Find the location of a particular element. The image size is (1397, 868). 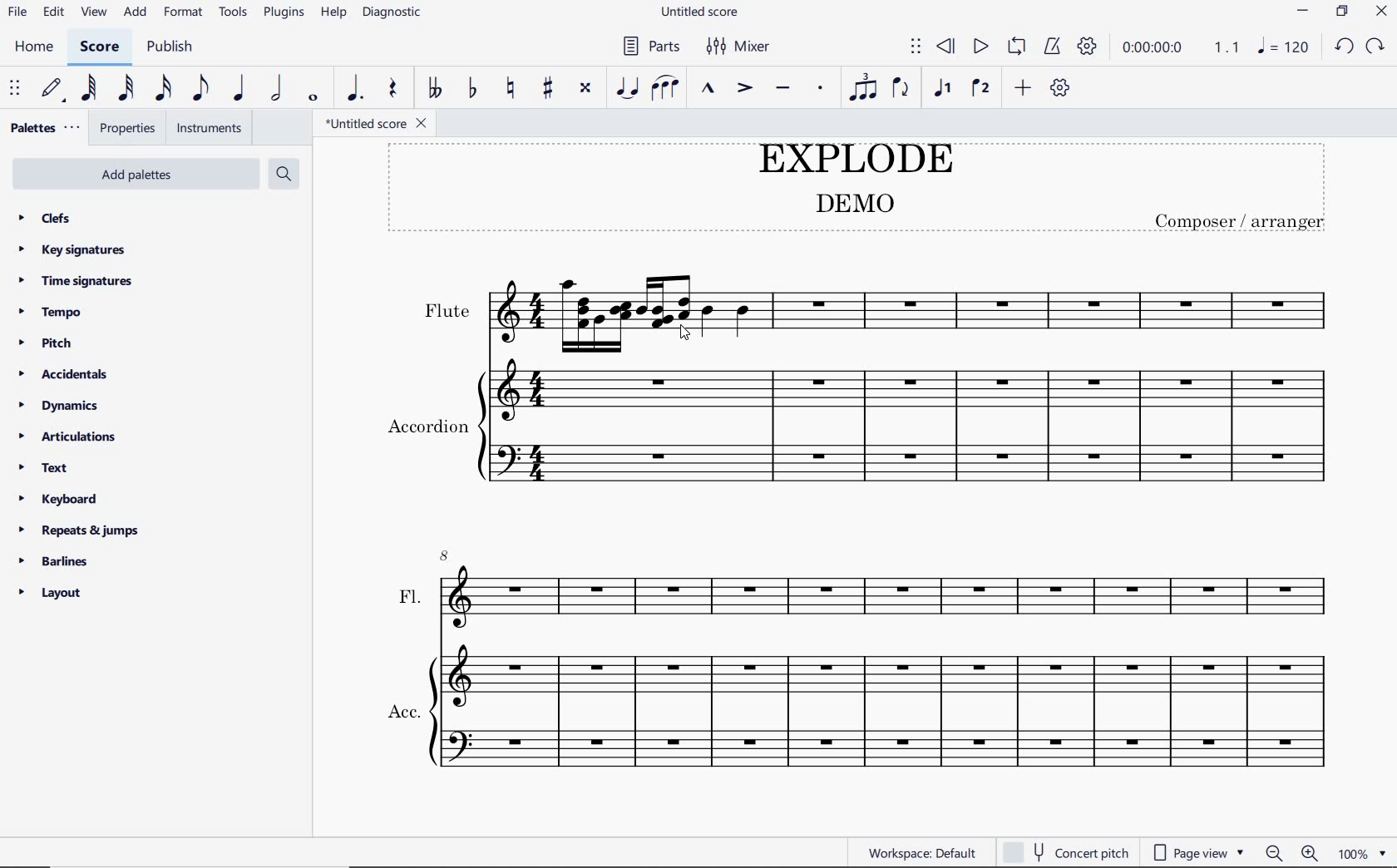

accidentals is located at coordinates (68, 374).